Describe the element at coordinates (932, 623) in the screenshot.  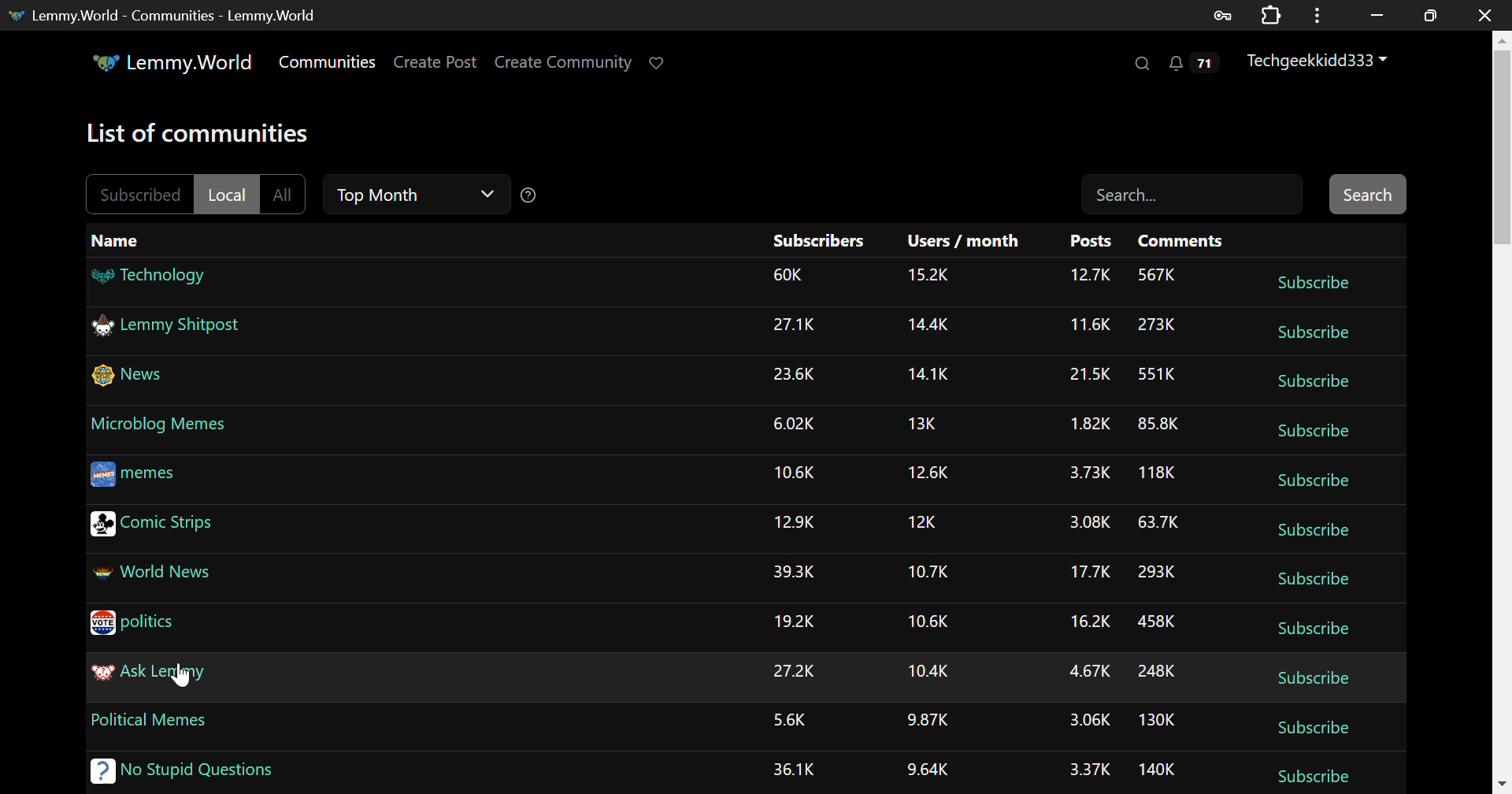
I see `Amount` at that location.